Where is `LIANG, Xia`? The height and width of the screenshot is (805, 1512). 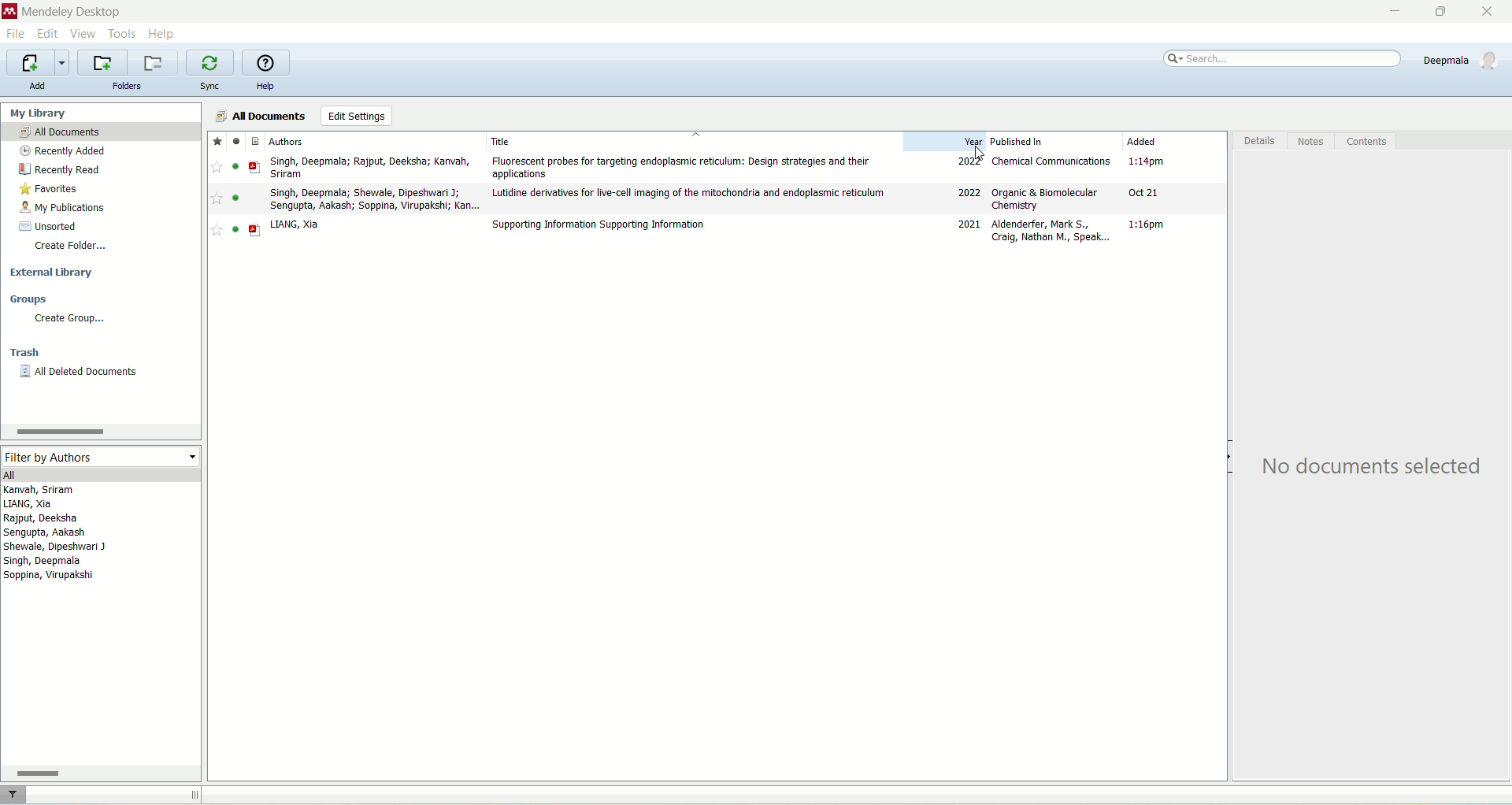
LIANG, Xia is located at coordinates (302, 224).